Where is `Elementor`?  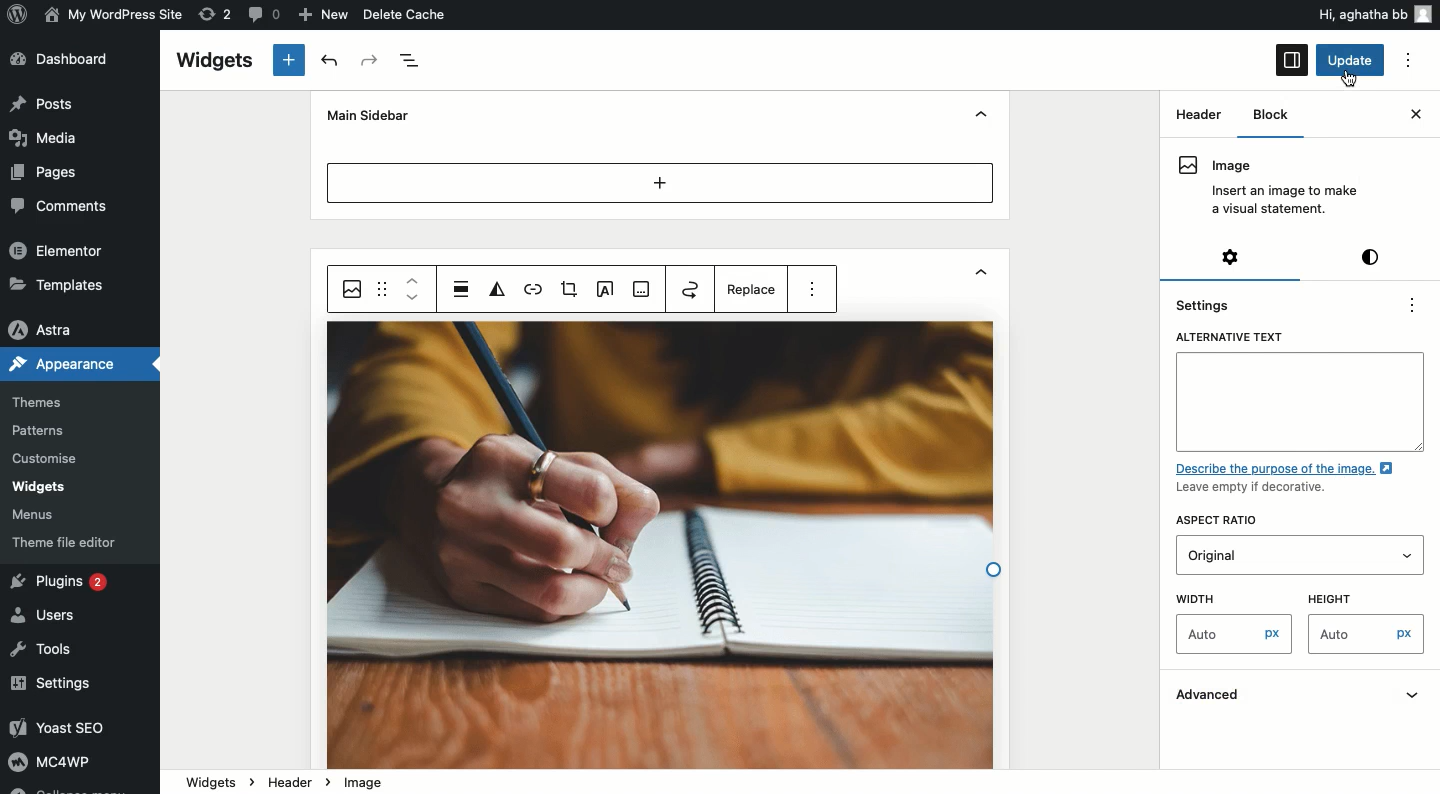
Elementor is located at coordinates (58, 249).